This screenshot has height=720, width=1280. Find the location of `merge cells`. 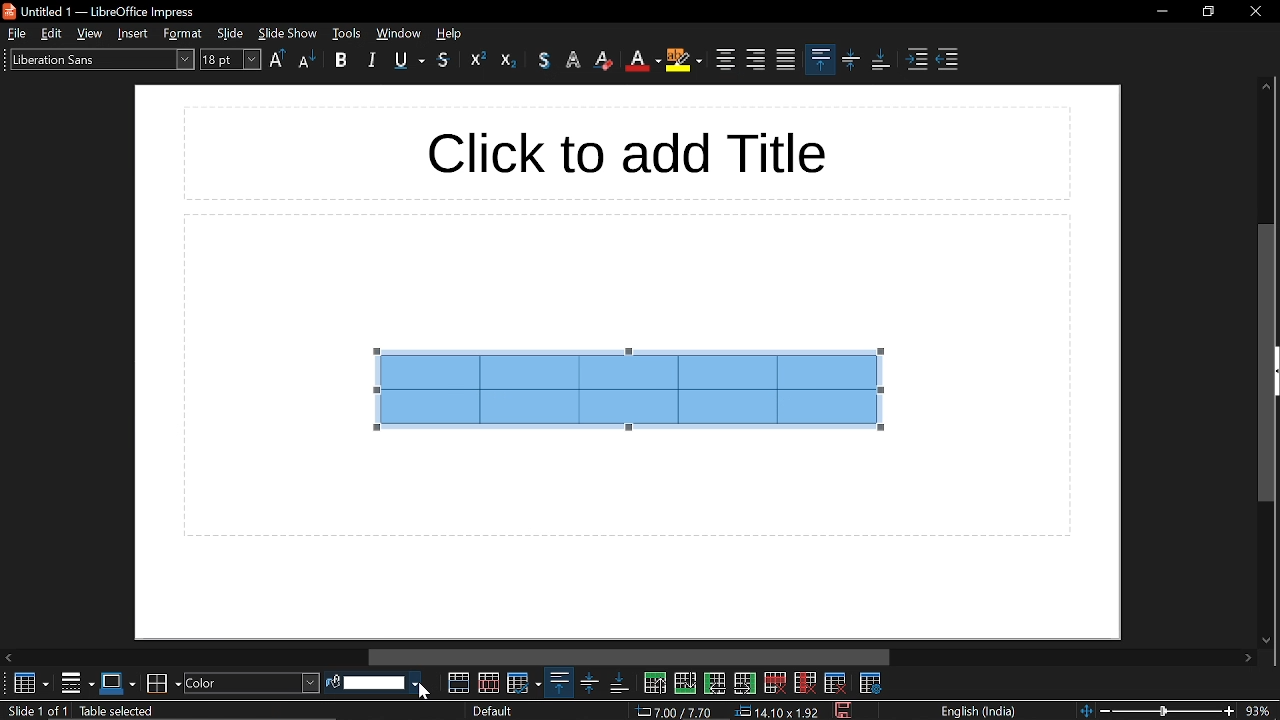

merge cells is located at coordinates (460, 683).